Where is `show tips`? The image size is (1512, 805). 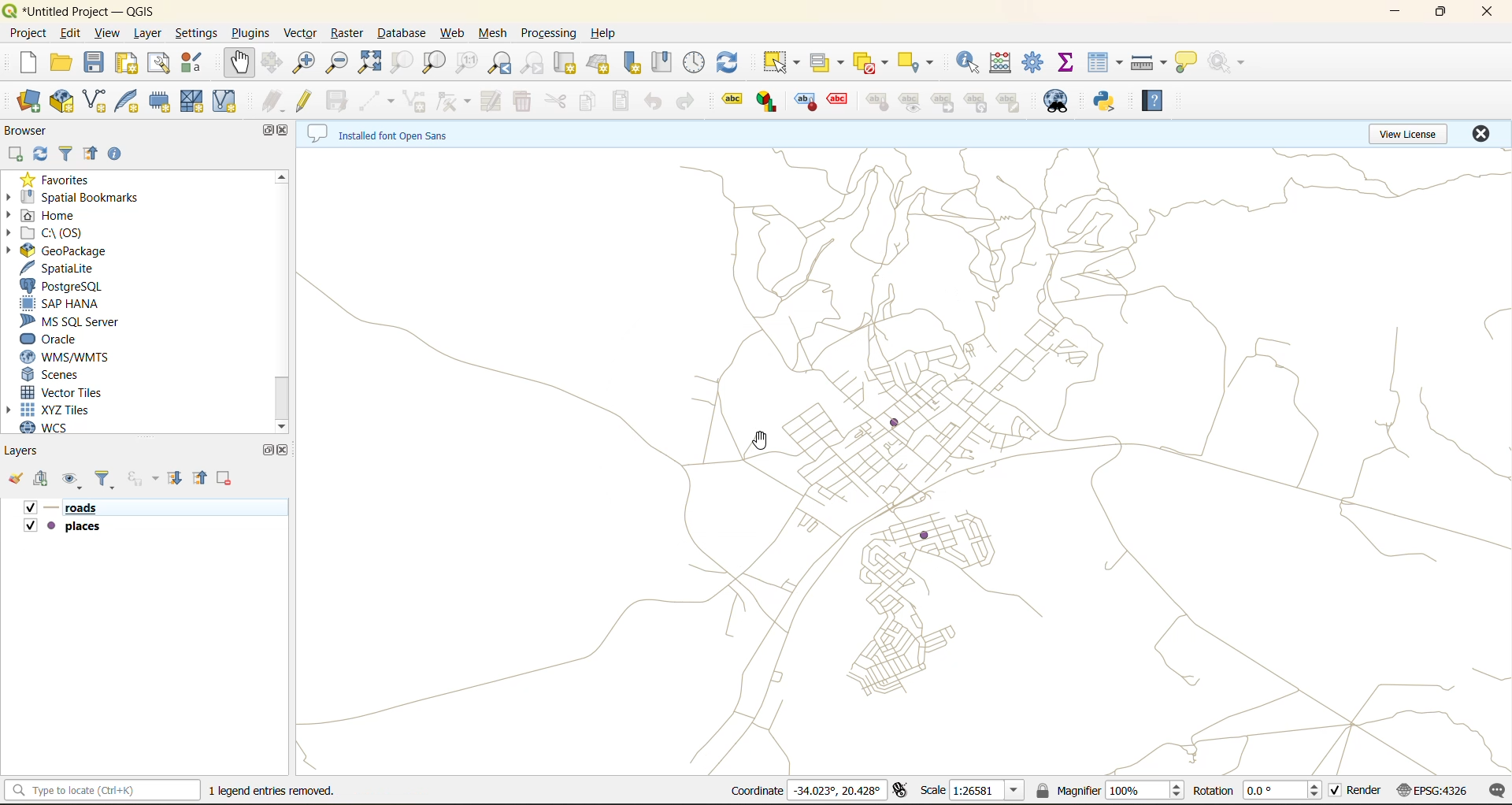
show tips is located at coordinates (1186, 64).